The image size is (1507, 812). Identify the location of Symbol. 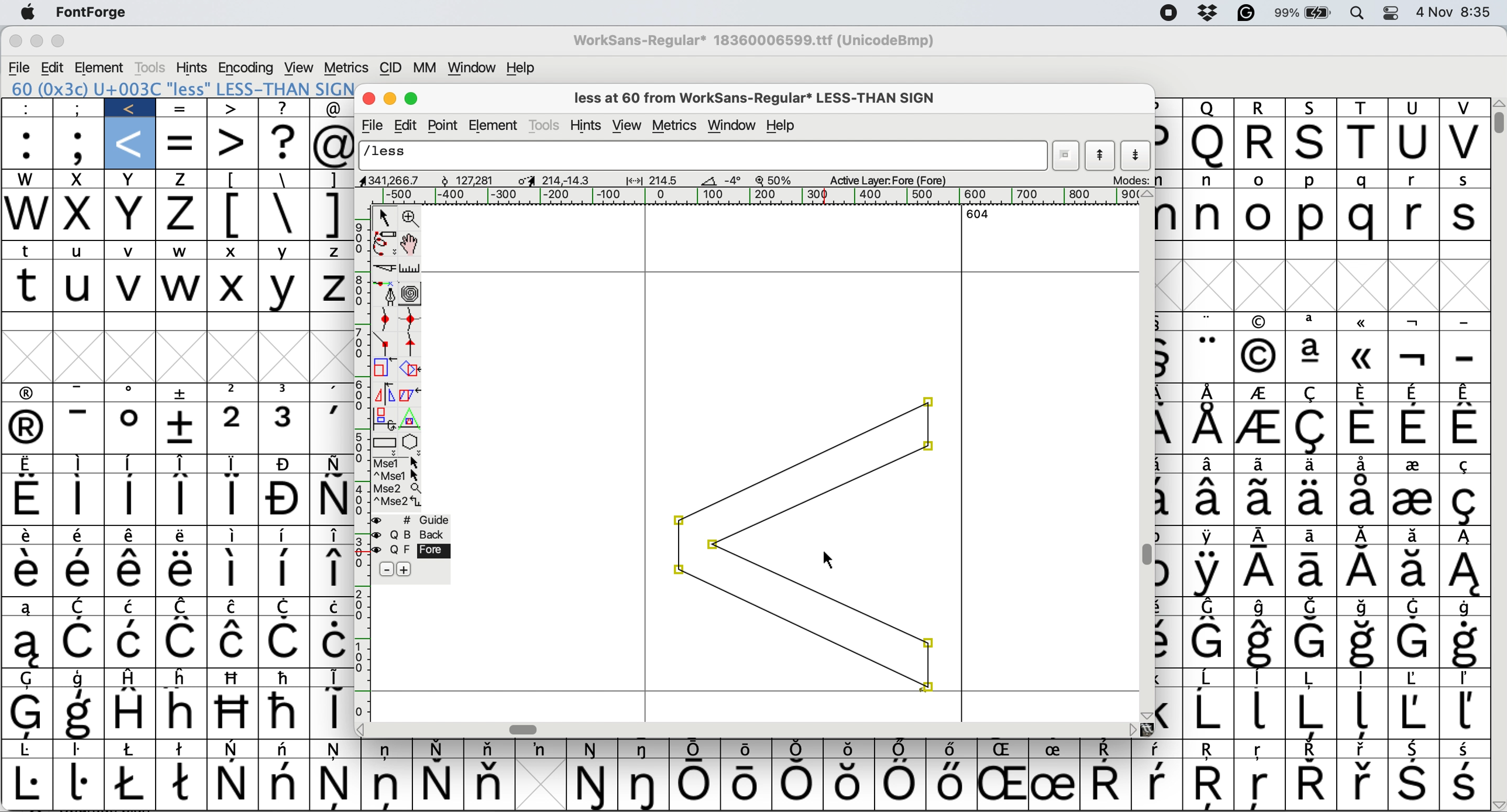
(1361, 500).